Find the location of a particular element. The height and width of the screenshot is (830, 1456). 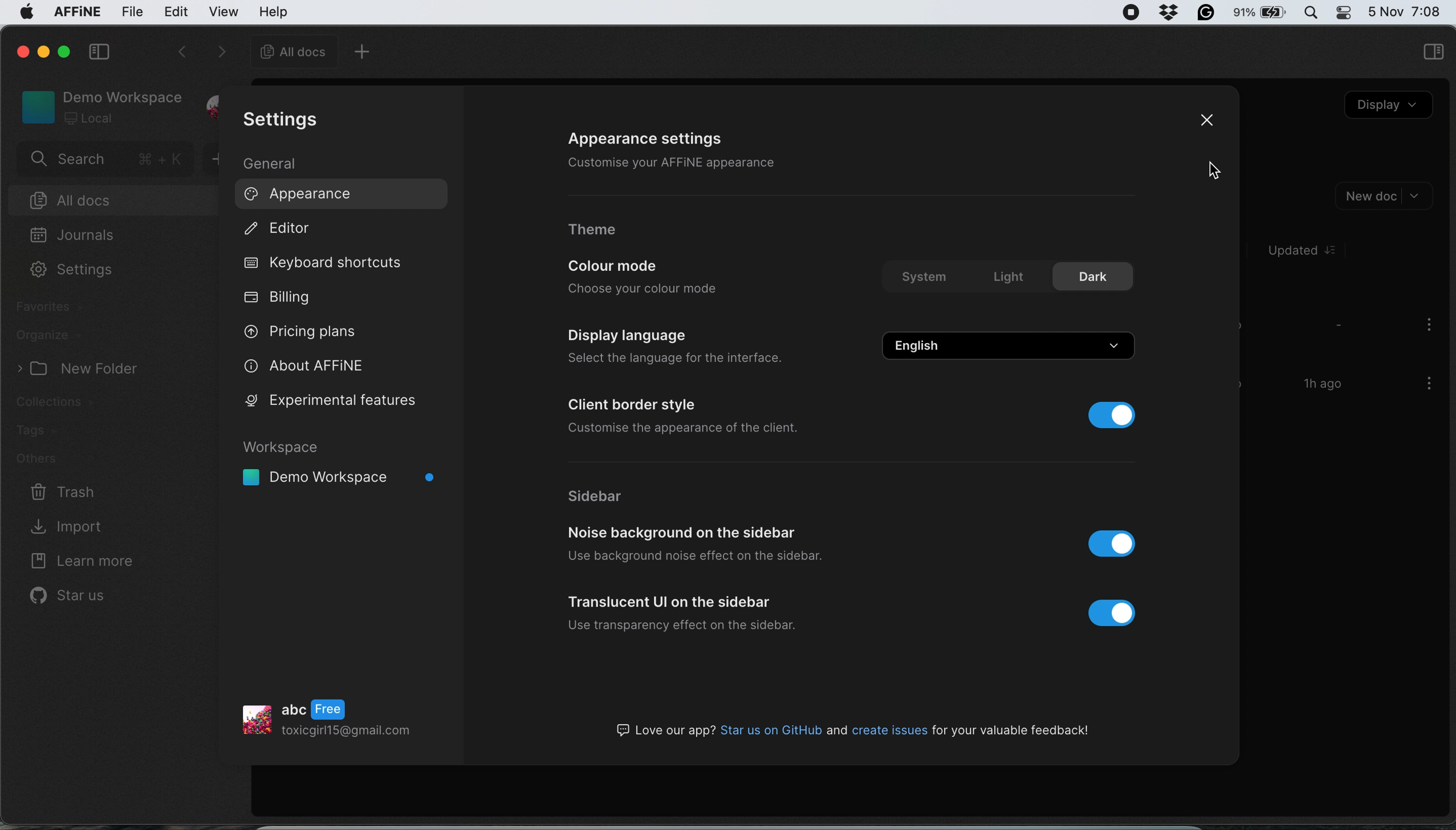

others is located at coordinates (46, 458).